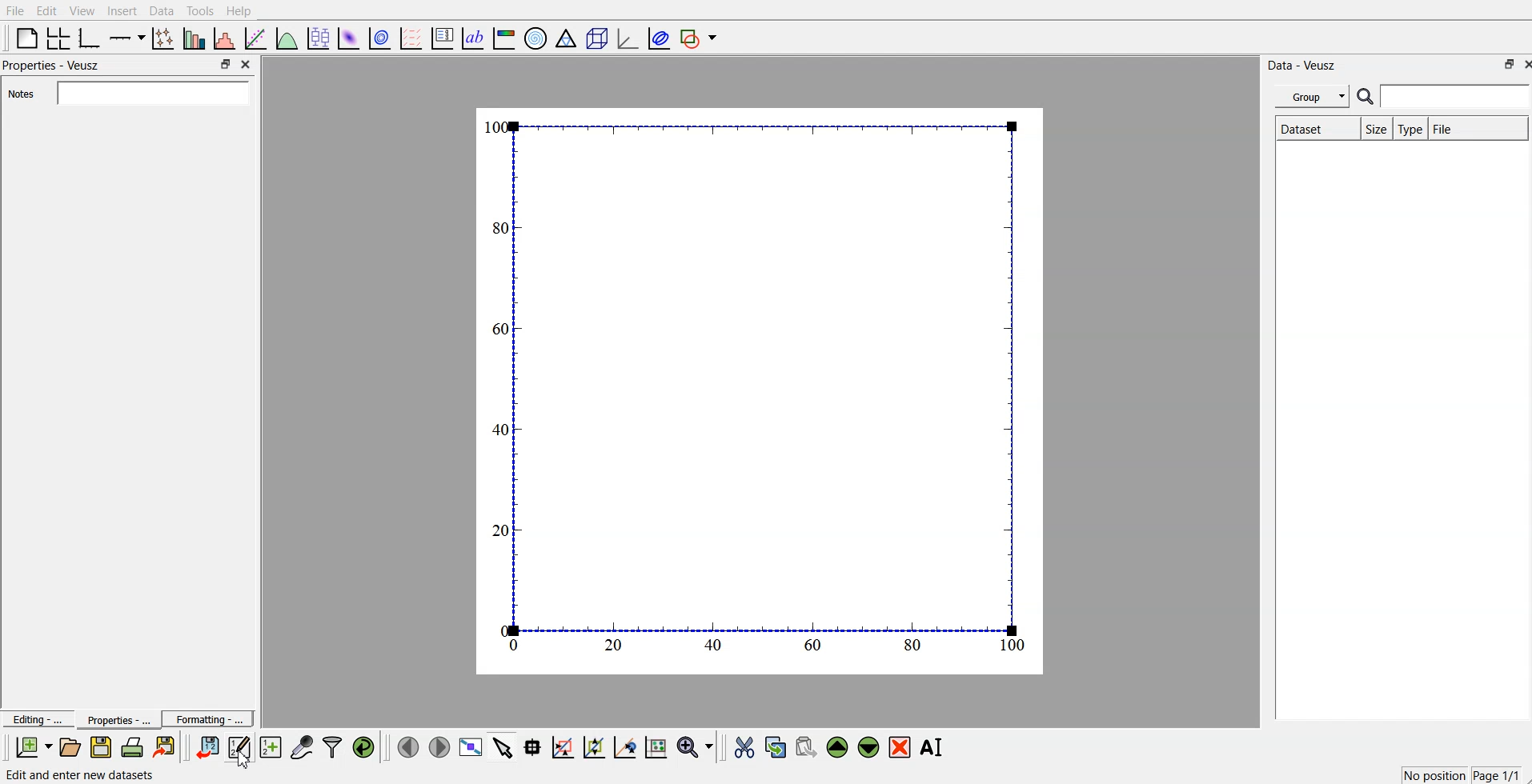 The height and width of the screenshot is (784, 1532). What do you see at coordinates (932, 747) in the screenshot?
I see `rename the selected widget` at bounding box center [932, 747].